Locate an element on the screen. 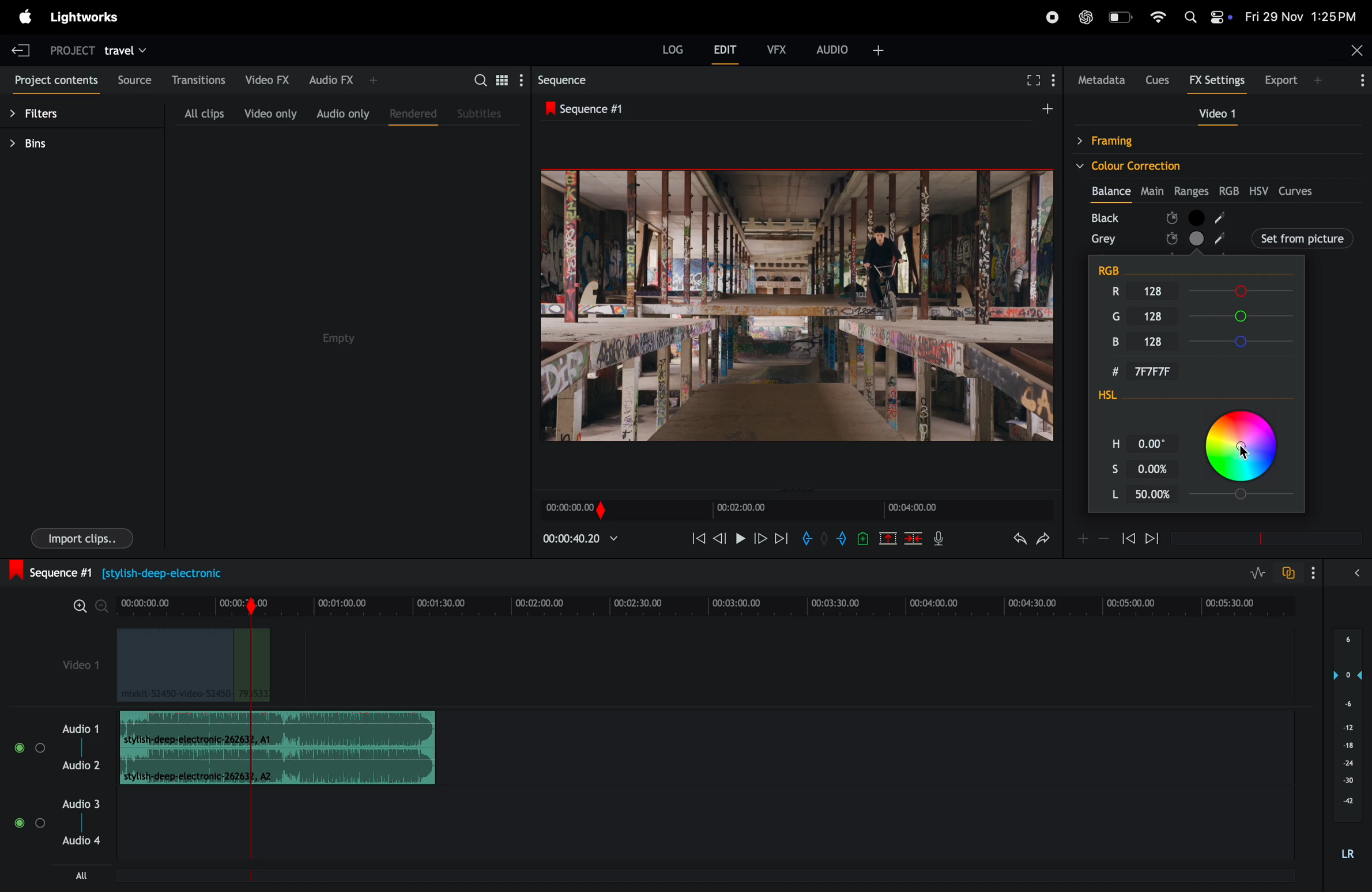  #  is located at coordinates (1105, 371).